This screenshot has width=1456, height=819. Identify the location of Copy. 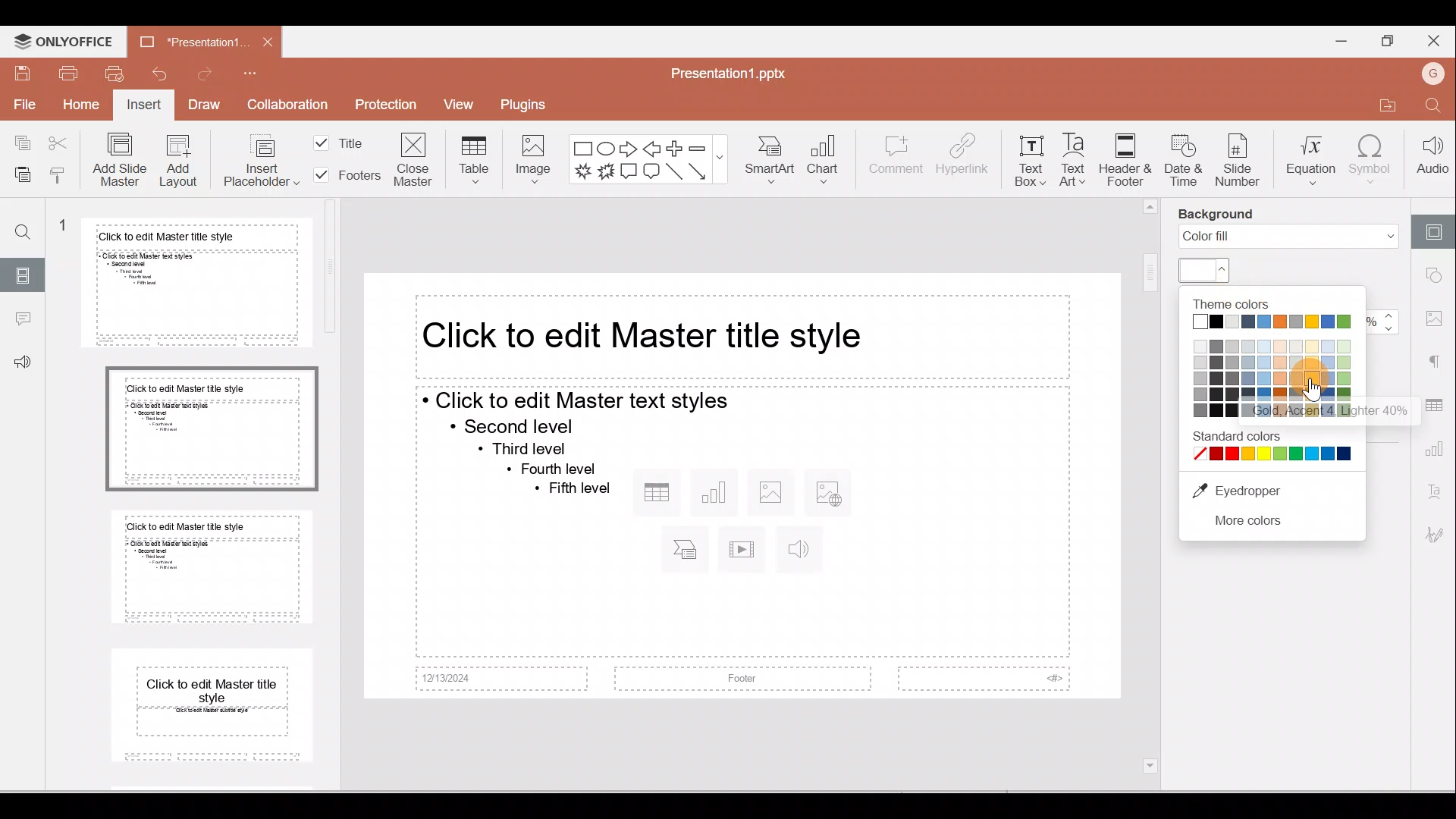
(19, 141).